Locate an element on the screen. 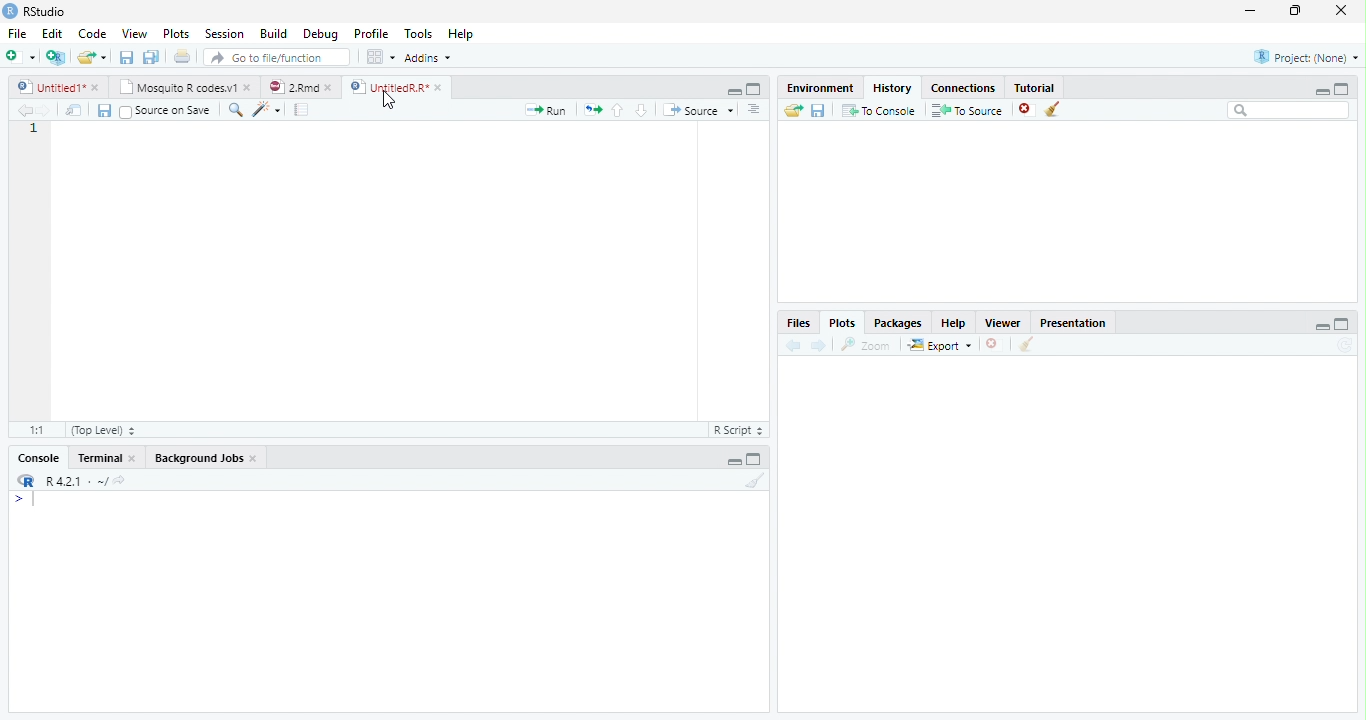 The width and height of the screenshot is (1366, 720). Save is located at coordinates (820, 111).